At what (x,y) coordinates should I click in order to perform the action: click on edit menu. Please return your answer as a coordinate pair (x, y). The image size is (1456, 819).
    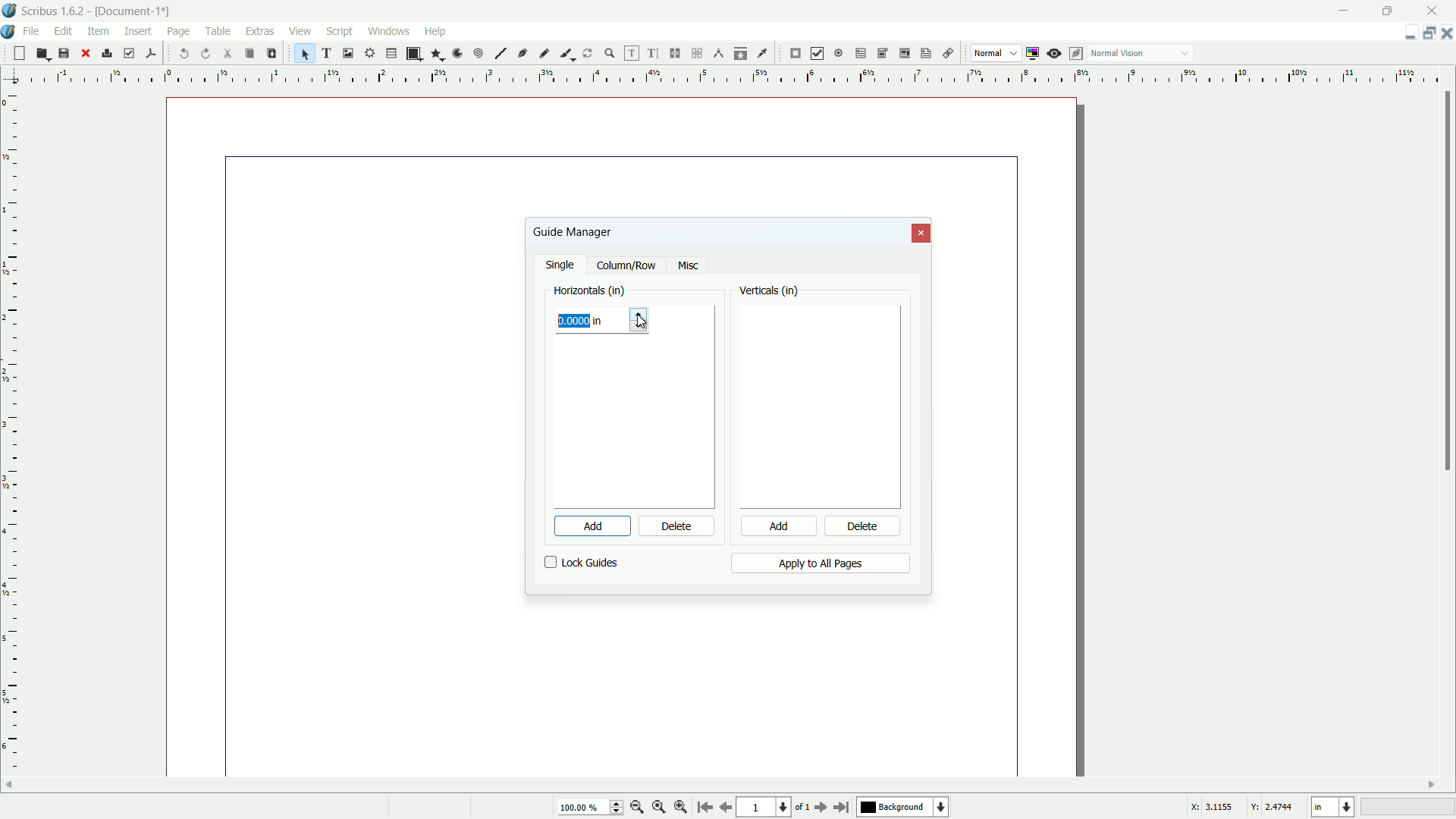
    Looking at the image, I should click on (66, 30).